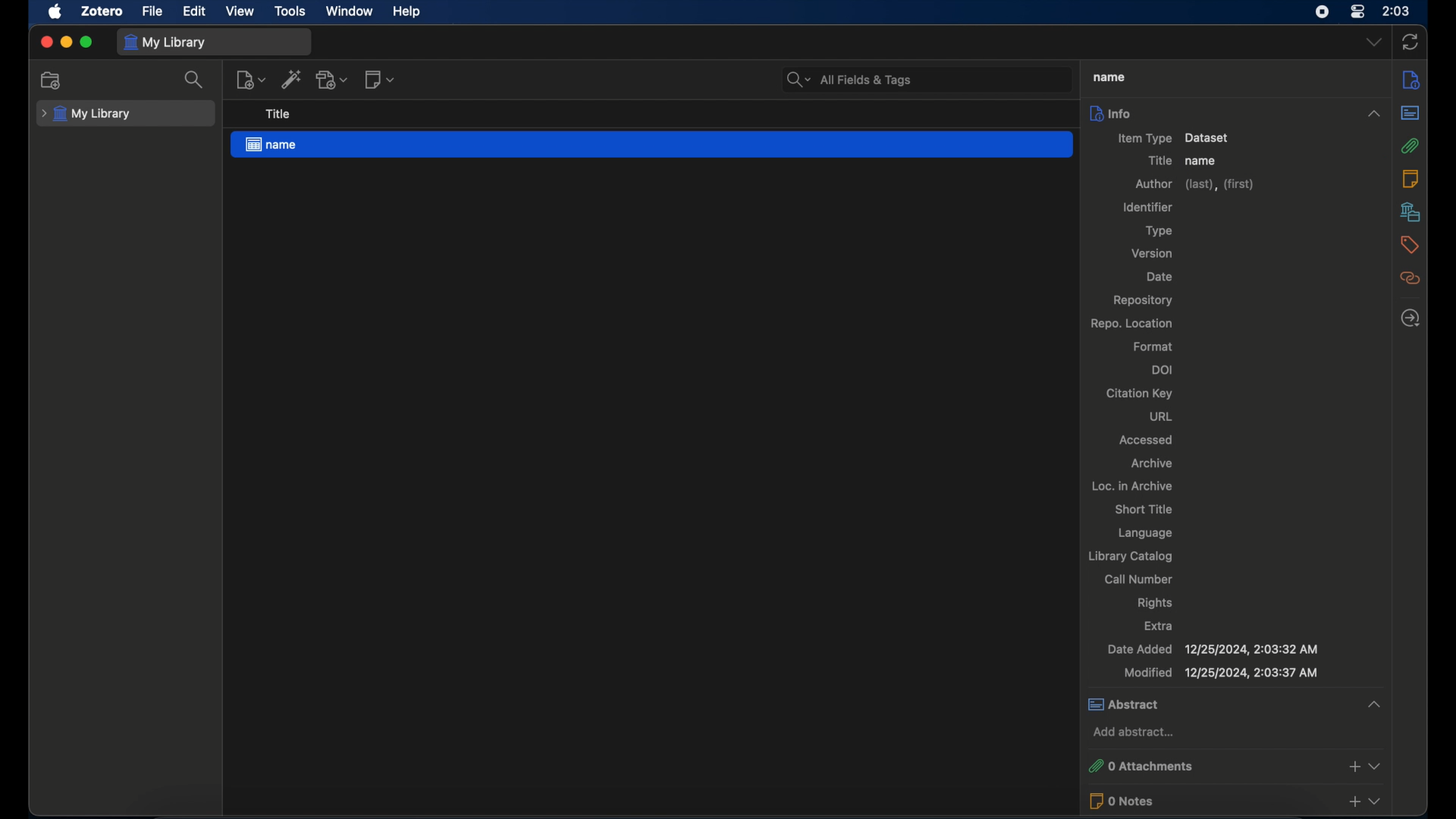 Image resolution: width=1456 pixels, height=819 pixels. What do you see at coordinates (1410, 42) in the screenshot?
I see `sync` at bounding box center [1410, 42].